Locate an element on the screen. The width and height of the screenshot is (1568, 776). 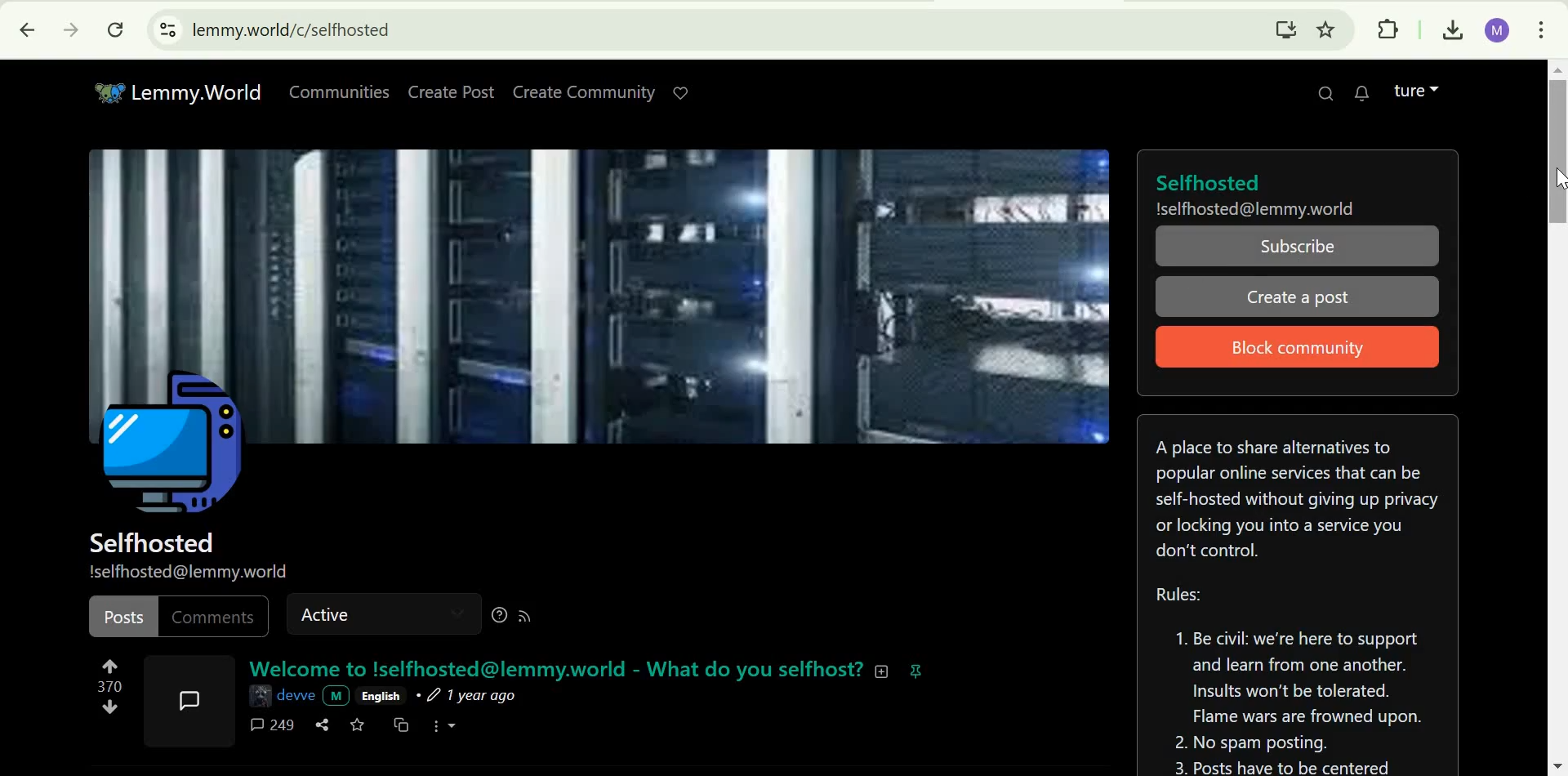
Support lemmy is located at coordinates (681, 93).